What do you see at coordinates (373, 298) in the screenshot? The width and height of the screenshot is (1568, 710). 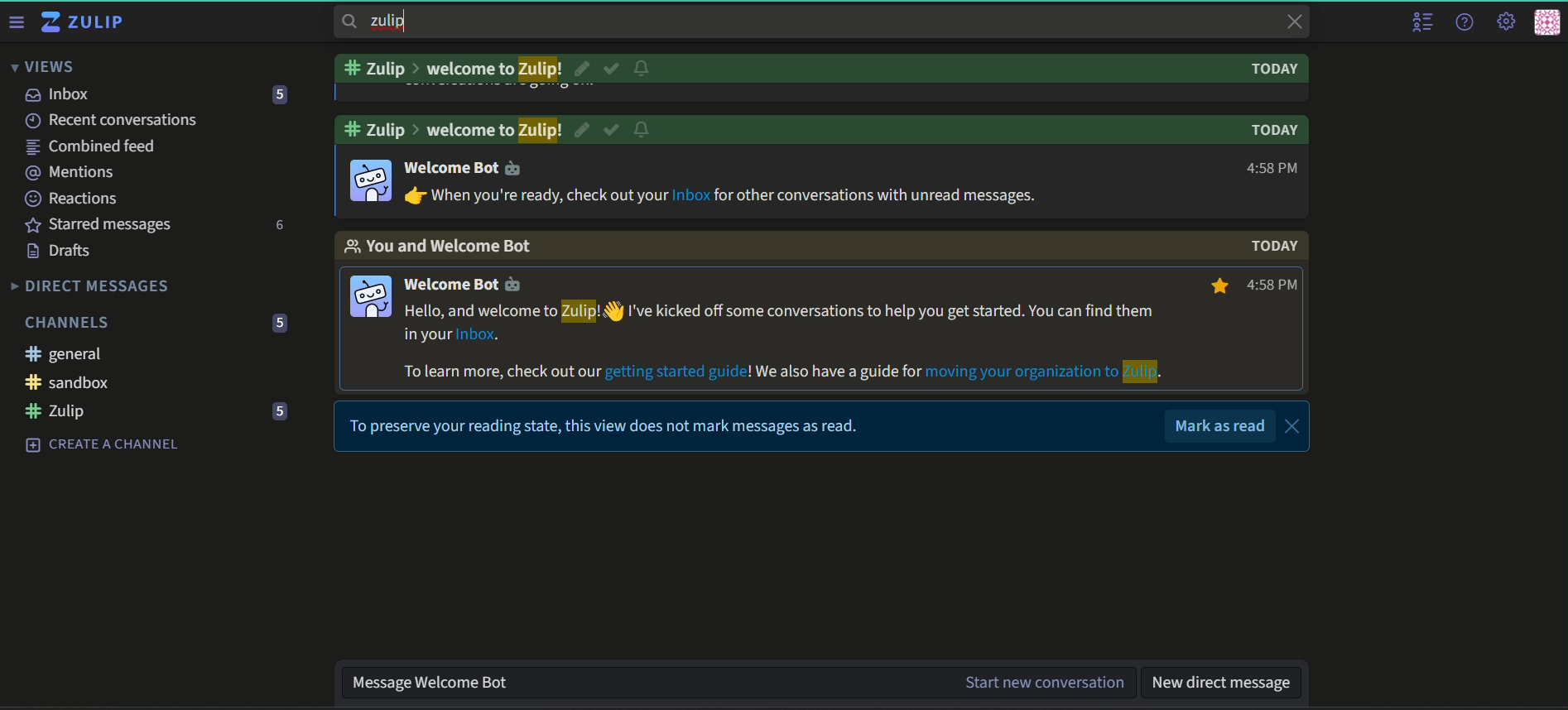 I see `image` at bounding box center [373, 298].